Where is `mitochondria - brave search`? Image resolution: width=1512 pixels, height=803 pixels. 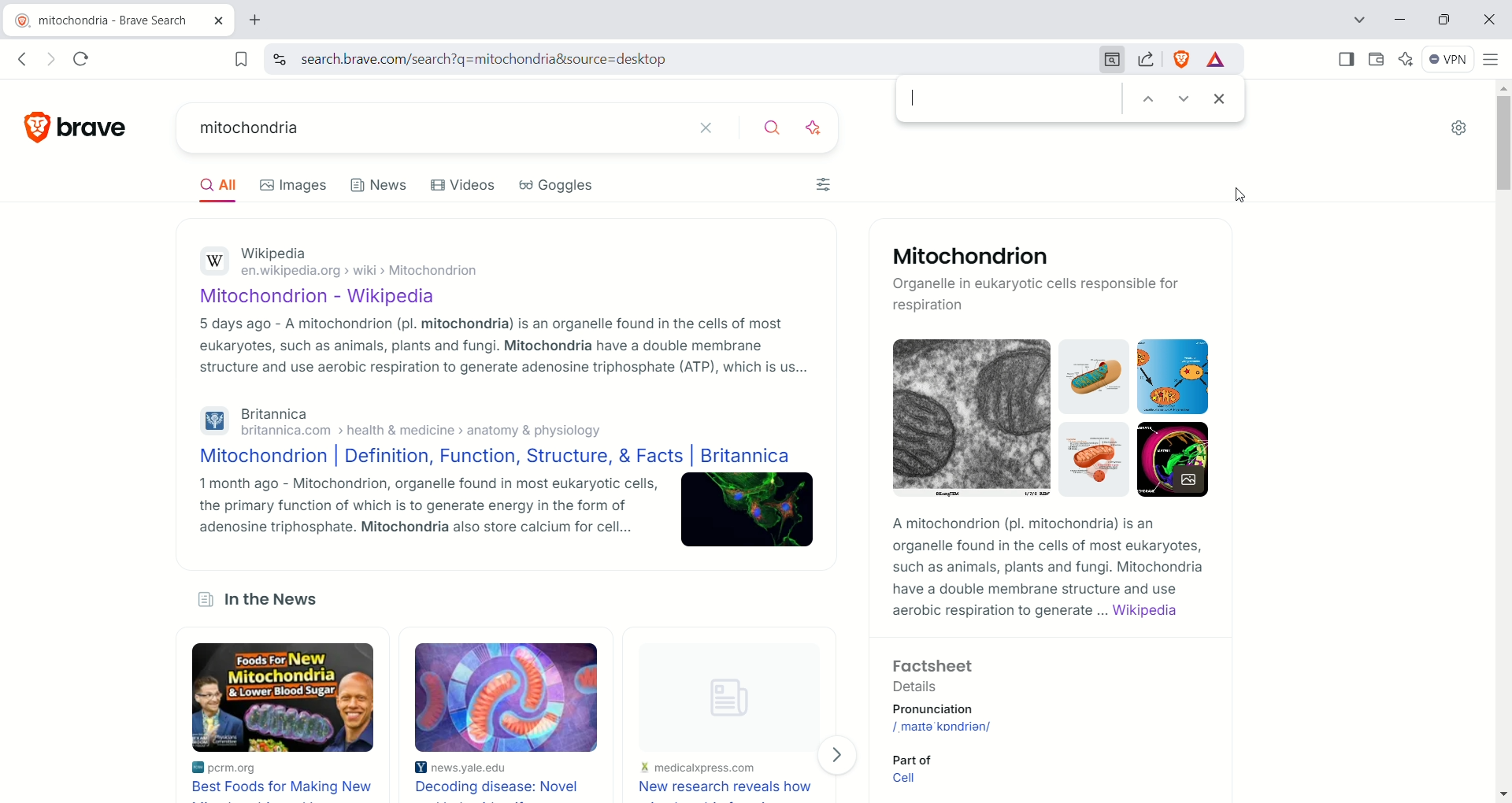 mitochondria - brave search is located at coordinates (117, 20).